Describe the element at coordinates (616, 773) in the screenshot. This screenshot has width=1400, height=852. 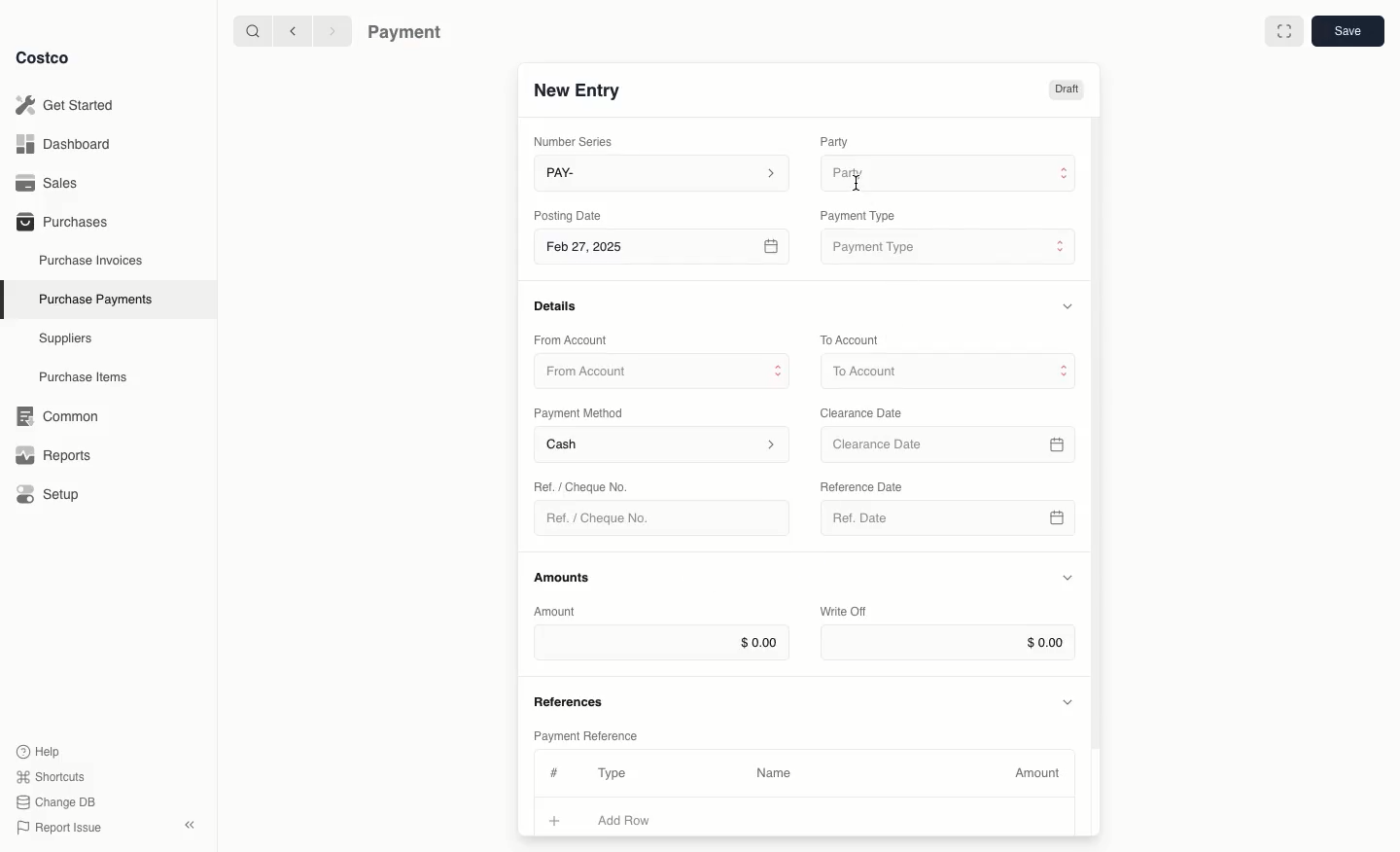
I see `Type` at that location.